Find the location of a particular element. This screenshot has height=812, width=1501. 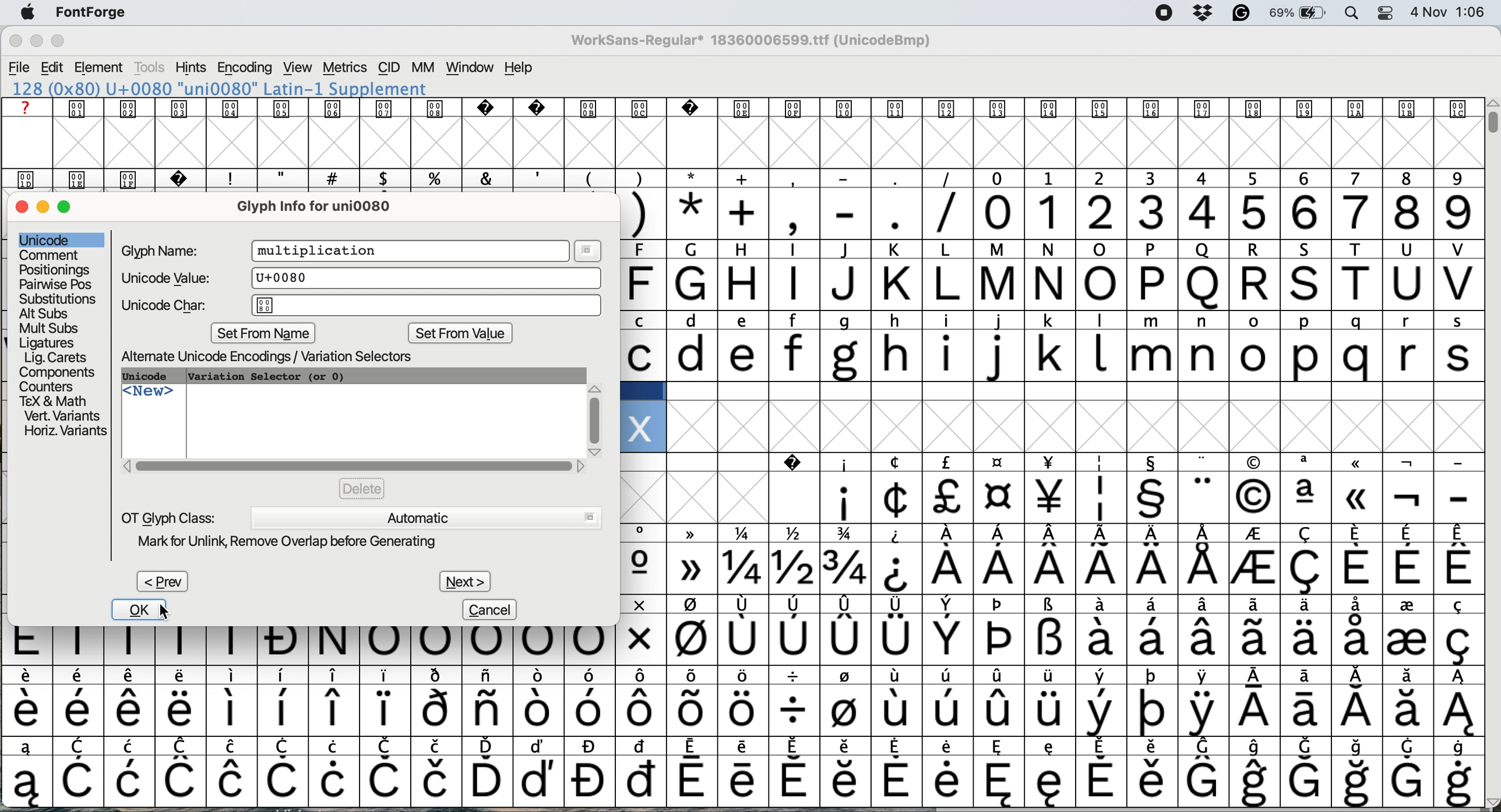

element is located at coordinates (101, 68).